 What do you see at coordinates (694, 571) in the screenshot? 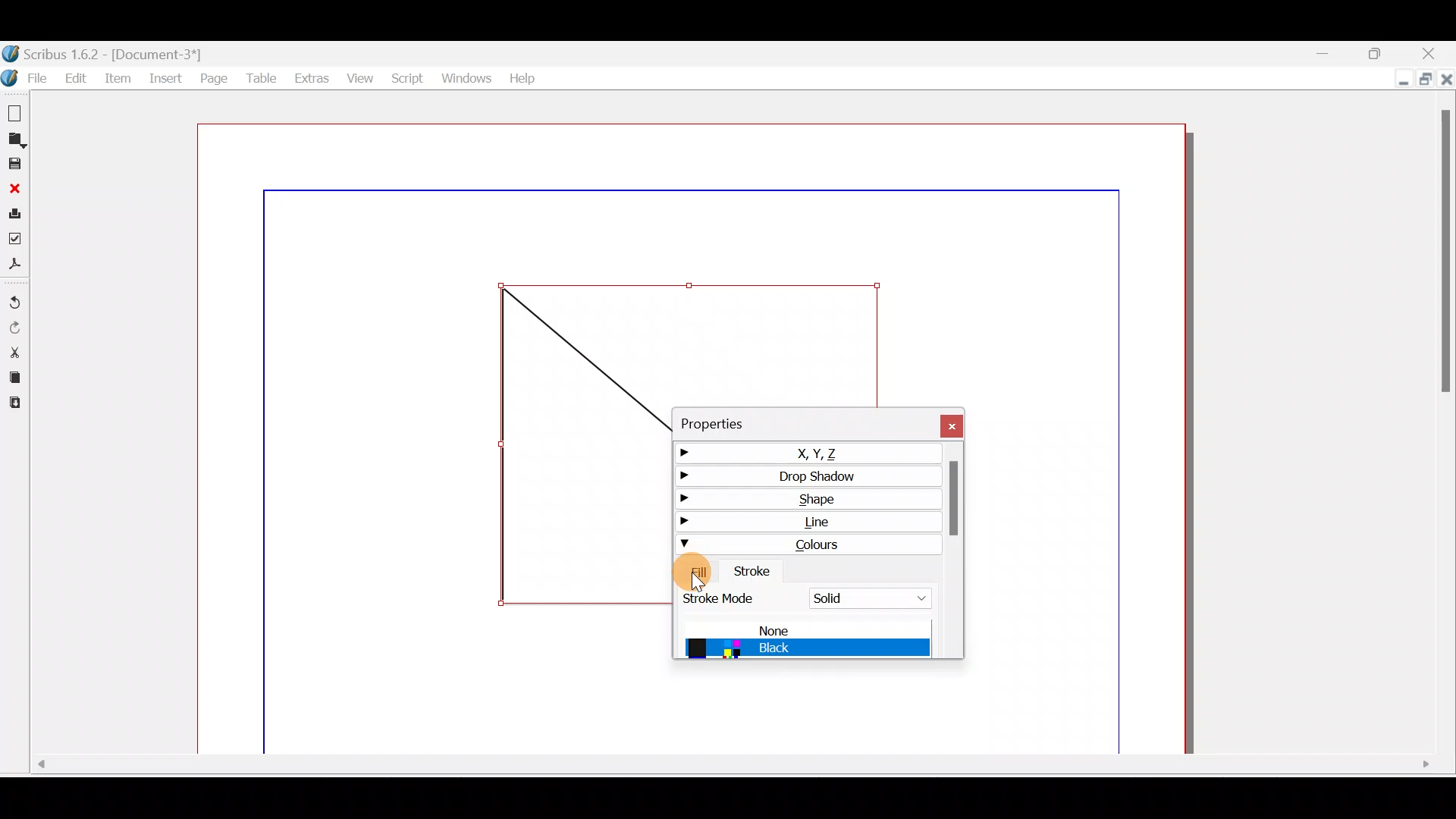
I see `Fill` at bounding box center [694, 571].